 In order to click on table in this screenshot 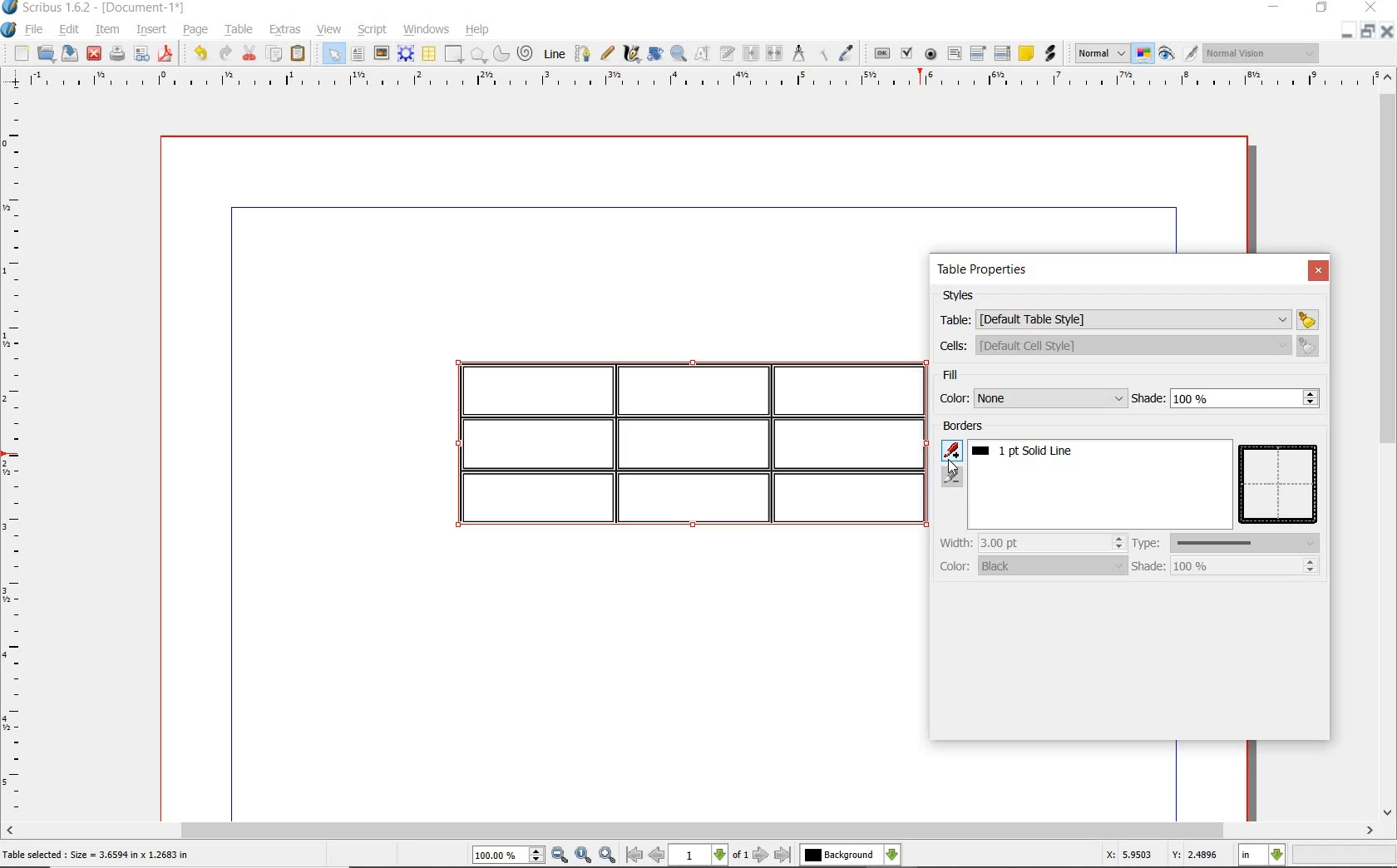, I will do `click(1128, 318)`.